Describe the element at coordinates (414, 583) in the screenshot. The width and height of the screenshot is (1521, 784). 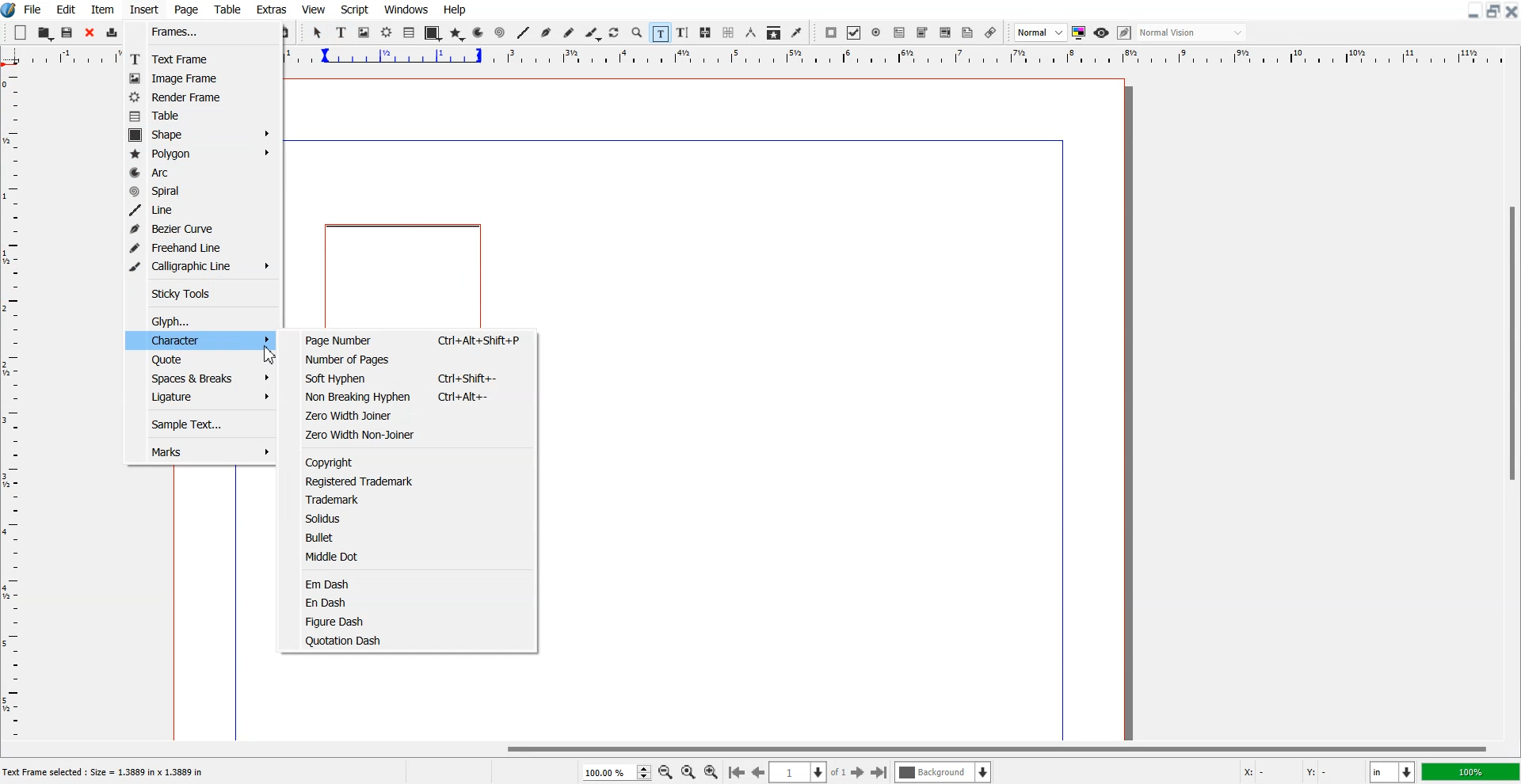
I see `Em Dash` at that location.